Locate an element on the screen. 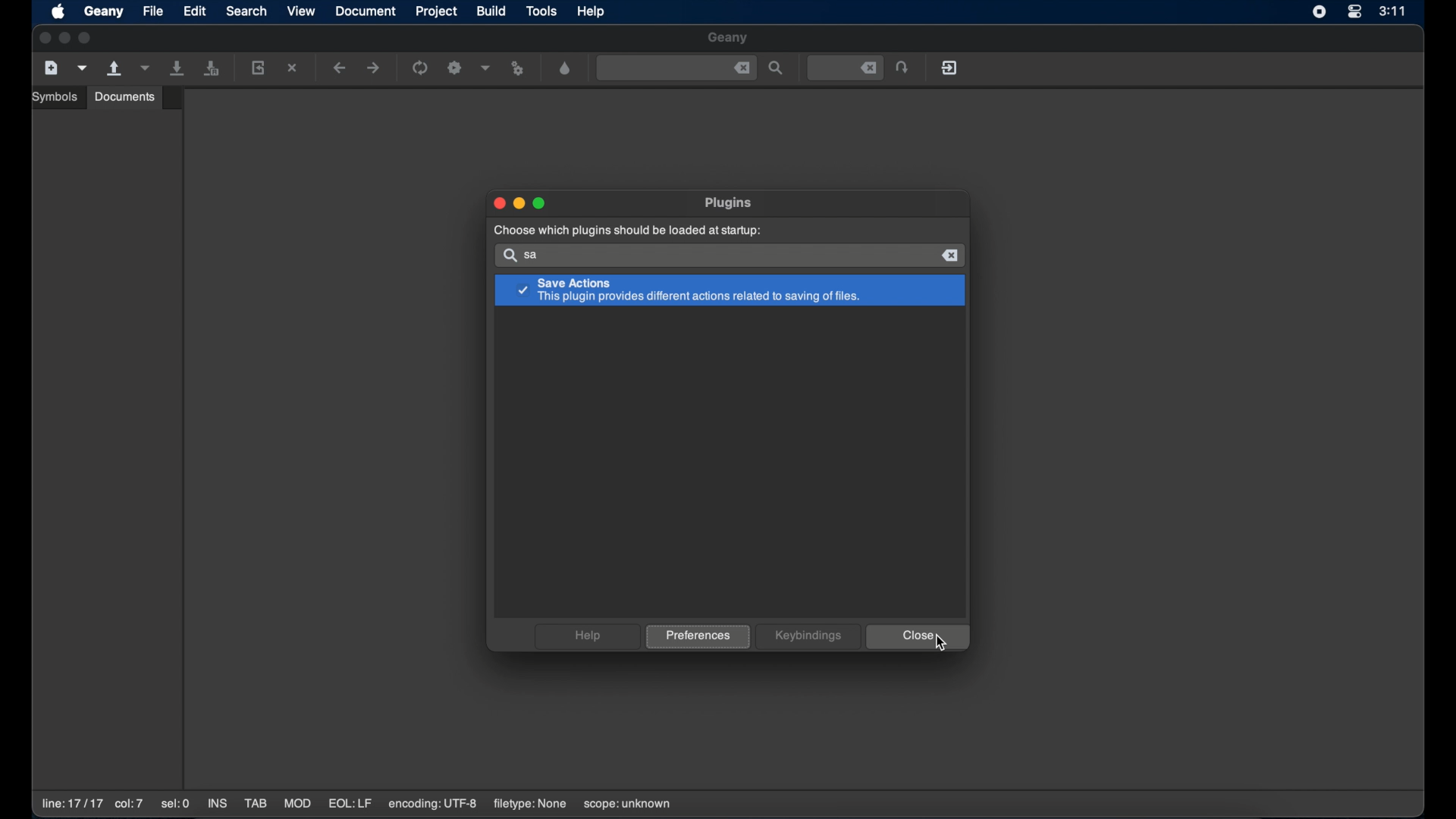  run the current file is located at coordinates (421, 68).